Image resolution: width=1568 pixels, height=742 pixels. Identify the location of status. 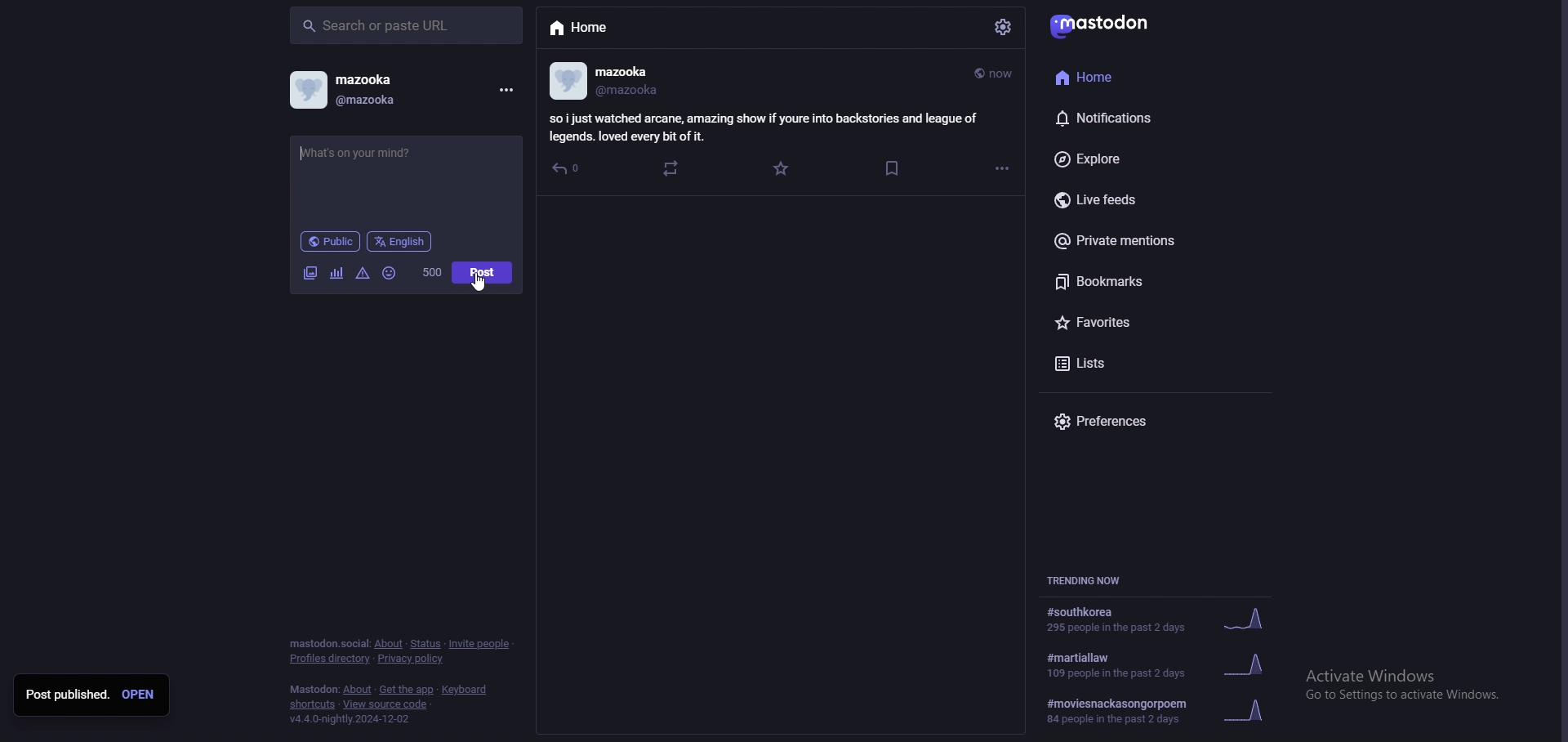
(425, 644).